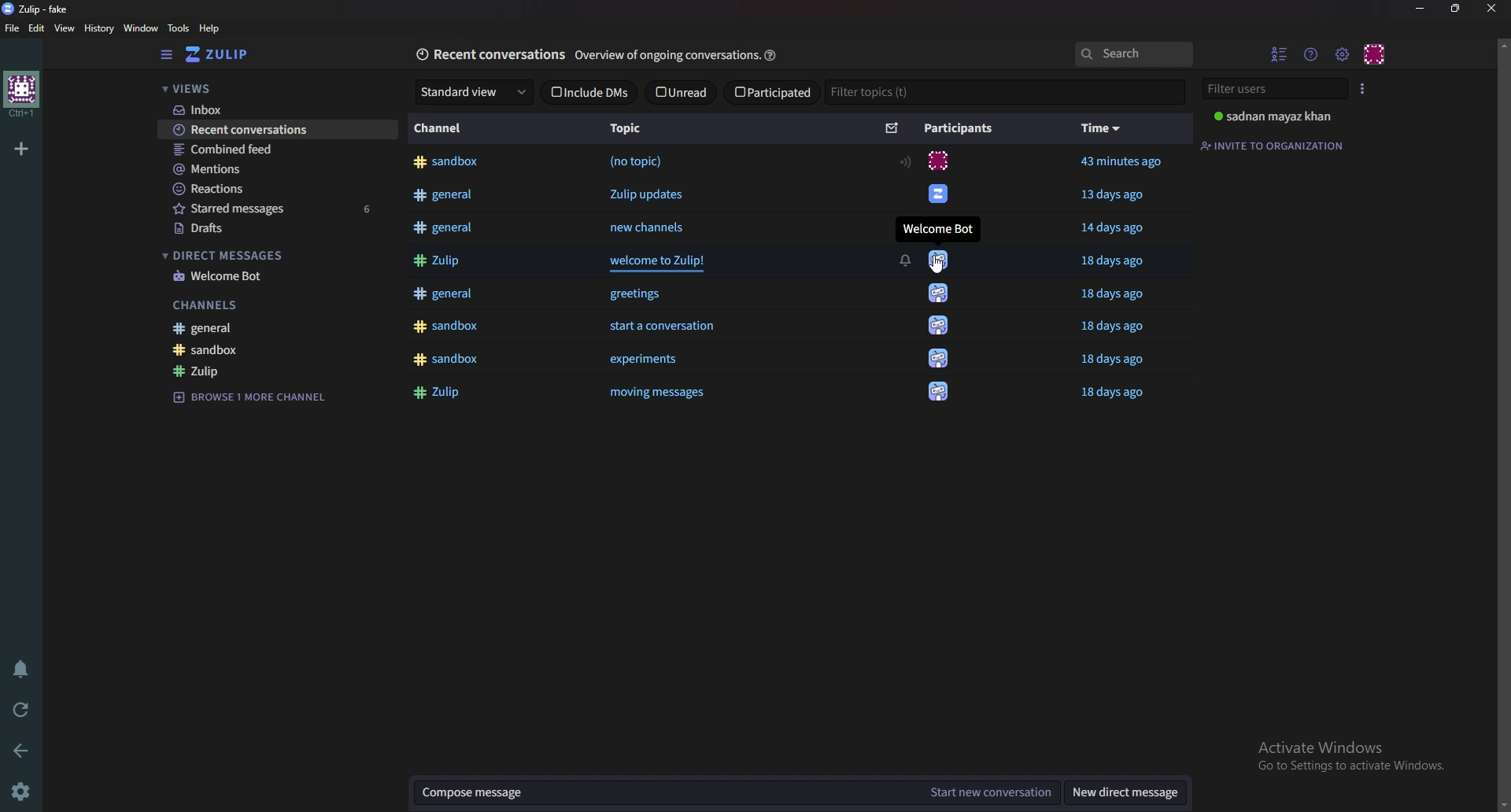 The image size is (1511, 812). What do you see at coordinates (227, 55) in the screenshot?
I see `Home view` at bounding box center [227, 55].